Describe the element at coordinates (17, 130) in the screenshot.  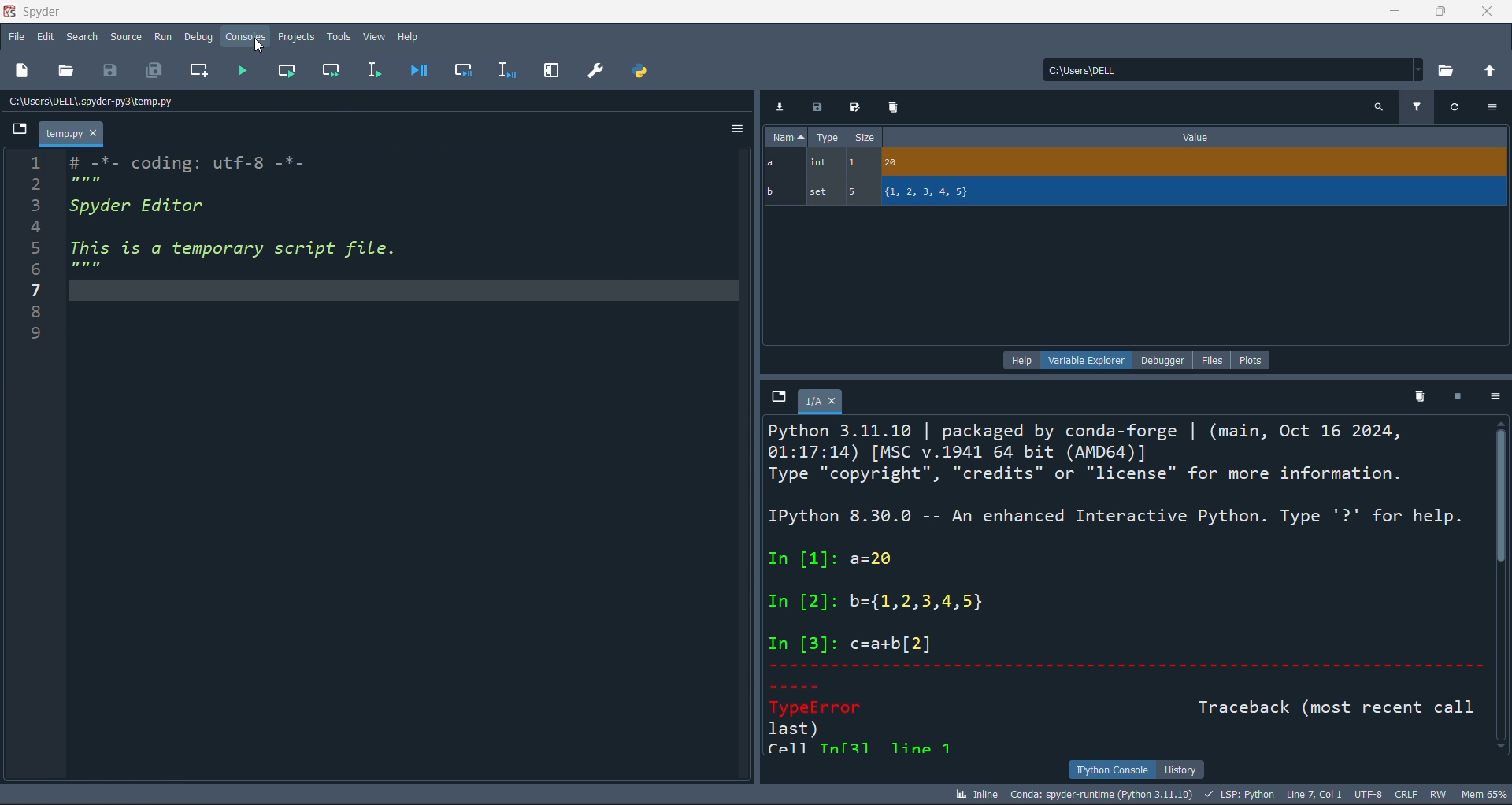
I see `browse tabs` at that location.